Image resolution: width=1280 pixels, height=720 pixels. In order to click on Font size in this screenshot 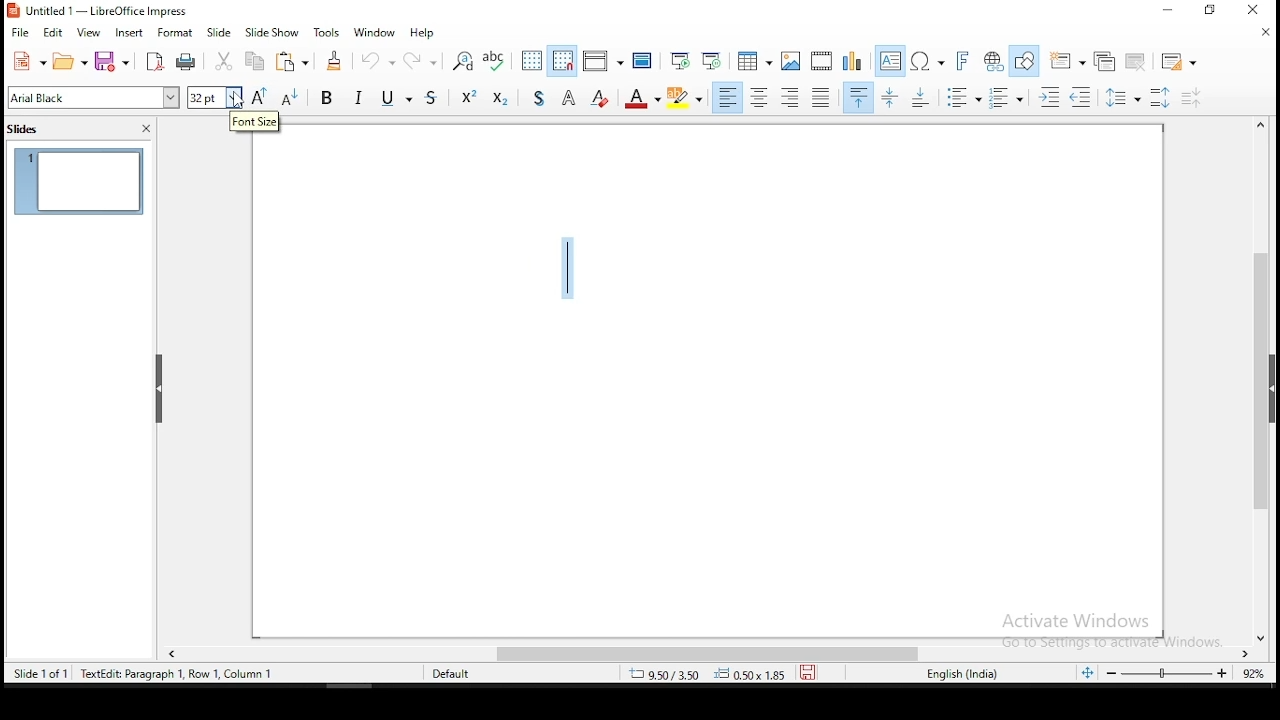, I will do `click(255, 122)`.